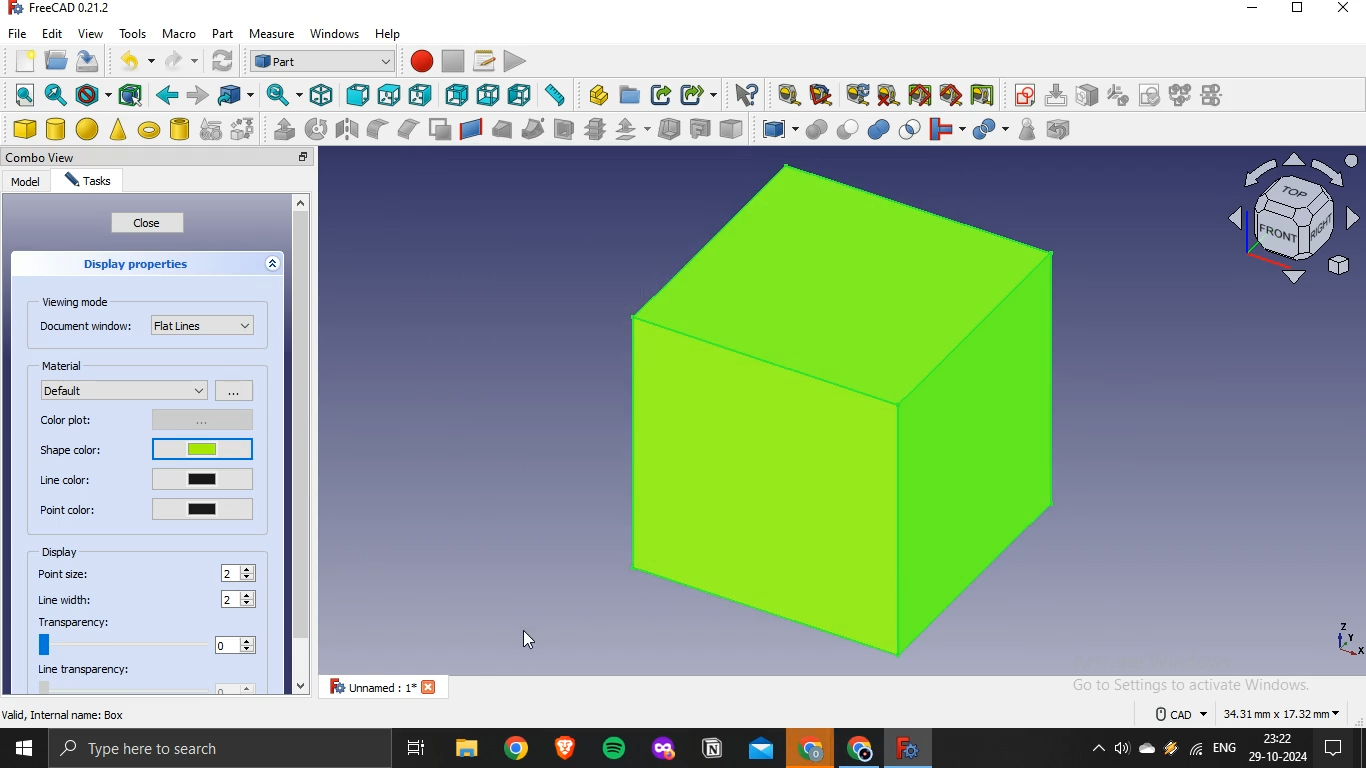  Describe the element at coordinates (150, 679) in the screenshot. I see `line transparency` at that location.